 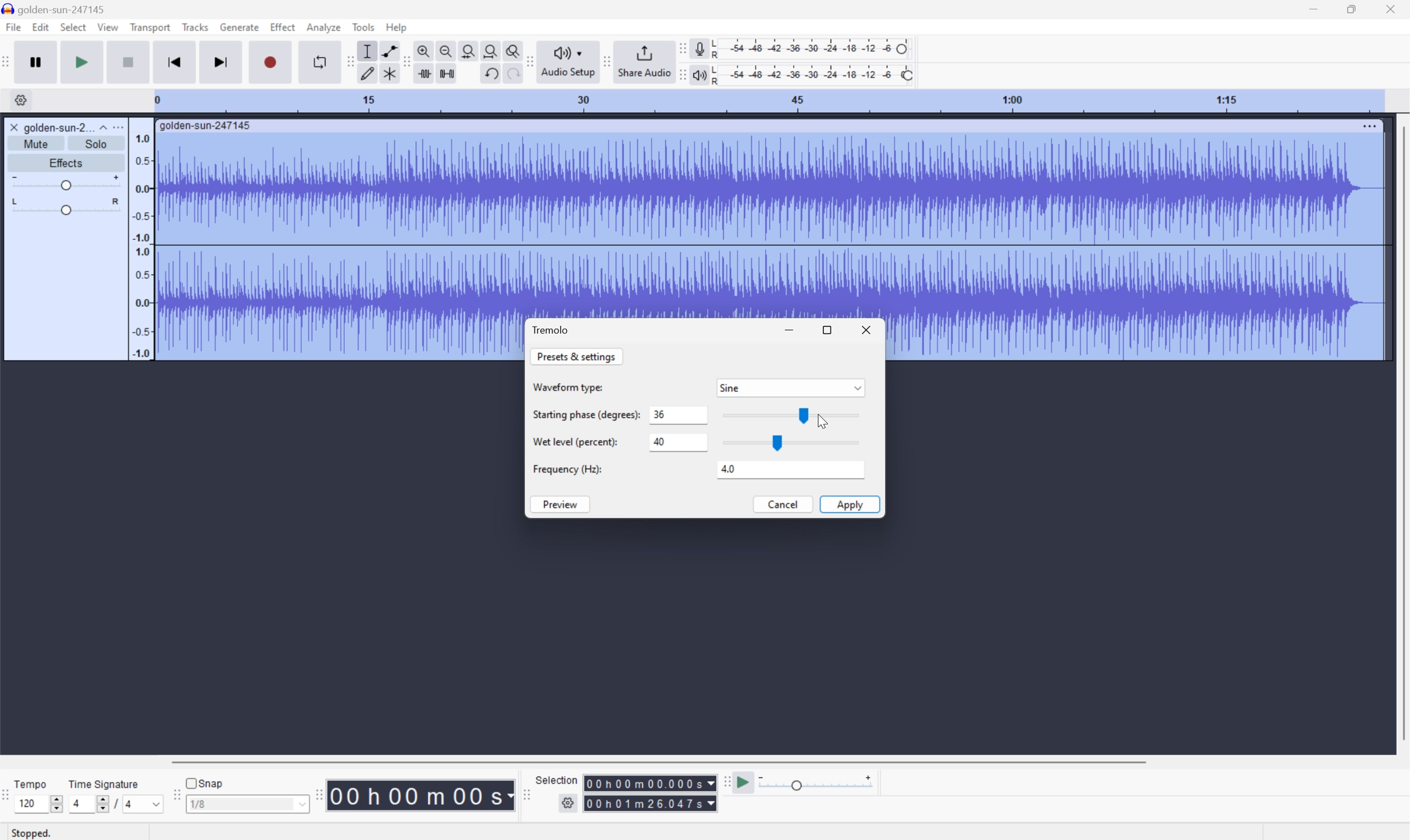 What do you see at coordinates (446, 50) in the screenshot?
I see `Zoom out` at bounding box center [446, 50].